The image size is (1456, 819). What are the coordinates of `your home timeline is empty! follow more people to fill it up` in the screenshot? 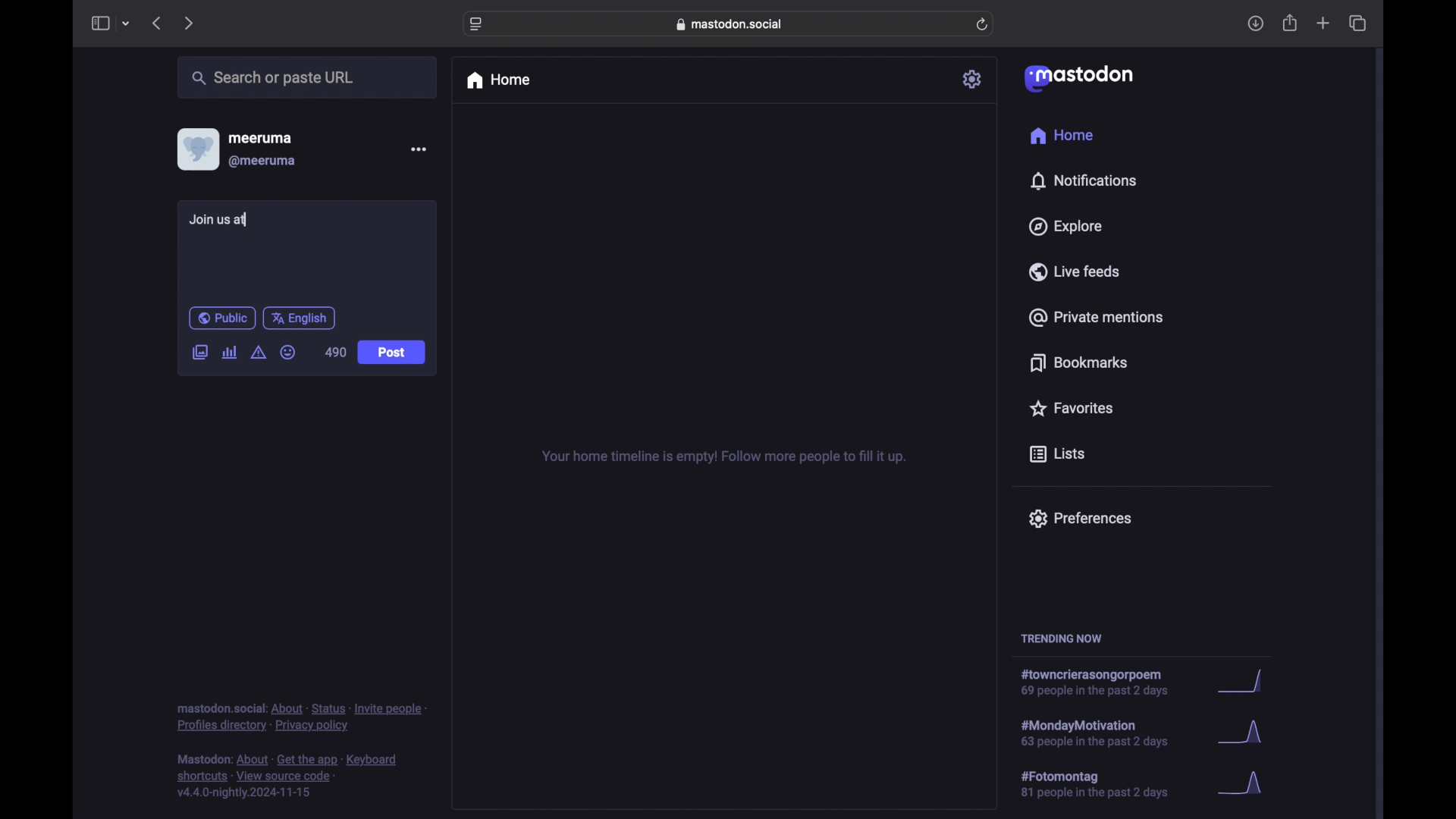 It's located at (723, 457).